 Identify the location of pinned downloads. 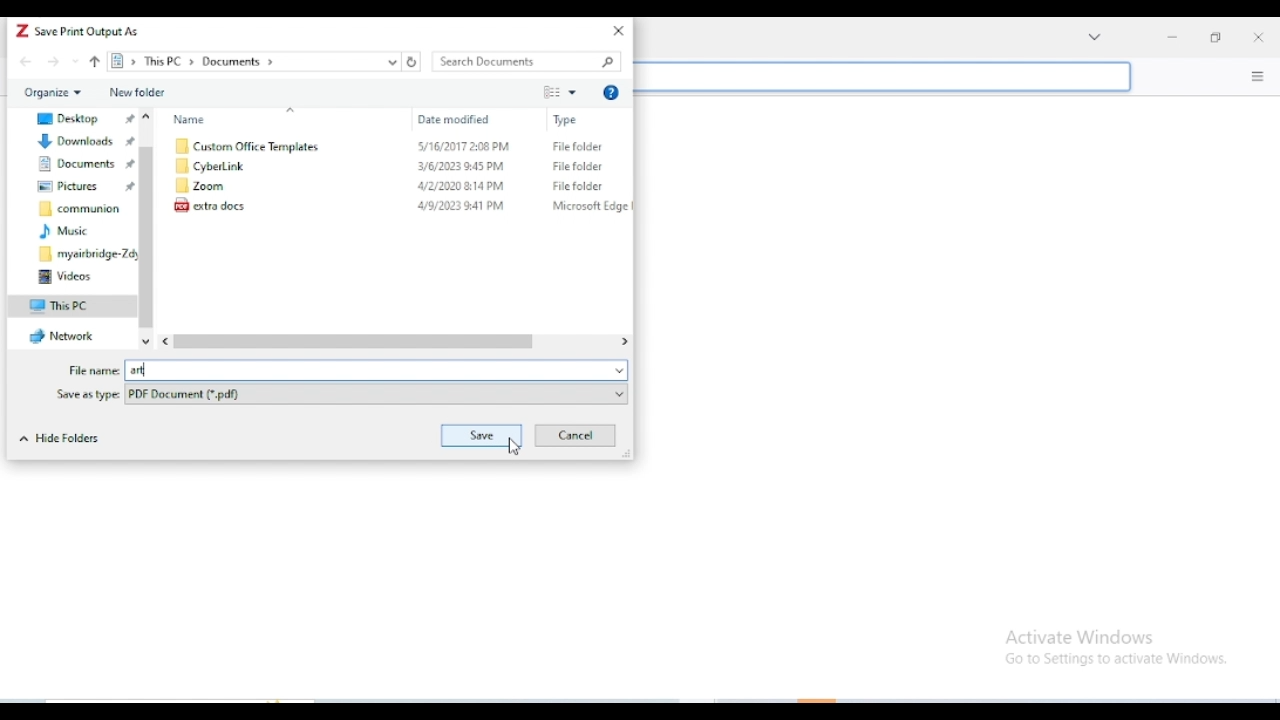
(85, 140).